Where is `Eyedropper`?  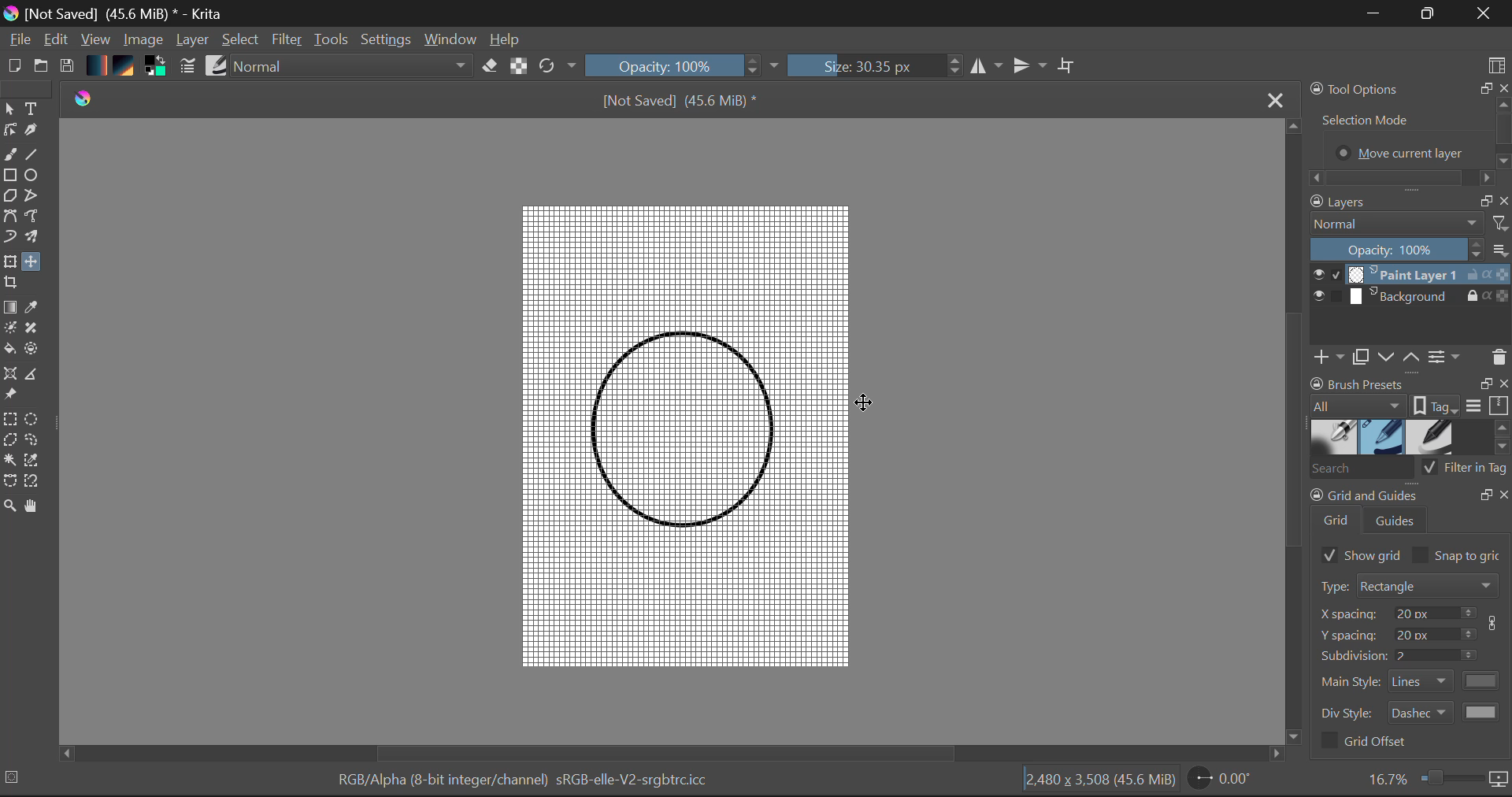
Eyedropper is located at coordinates (35, 309).